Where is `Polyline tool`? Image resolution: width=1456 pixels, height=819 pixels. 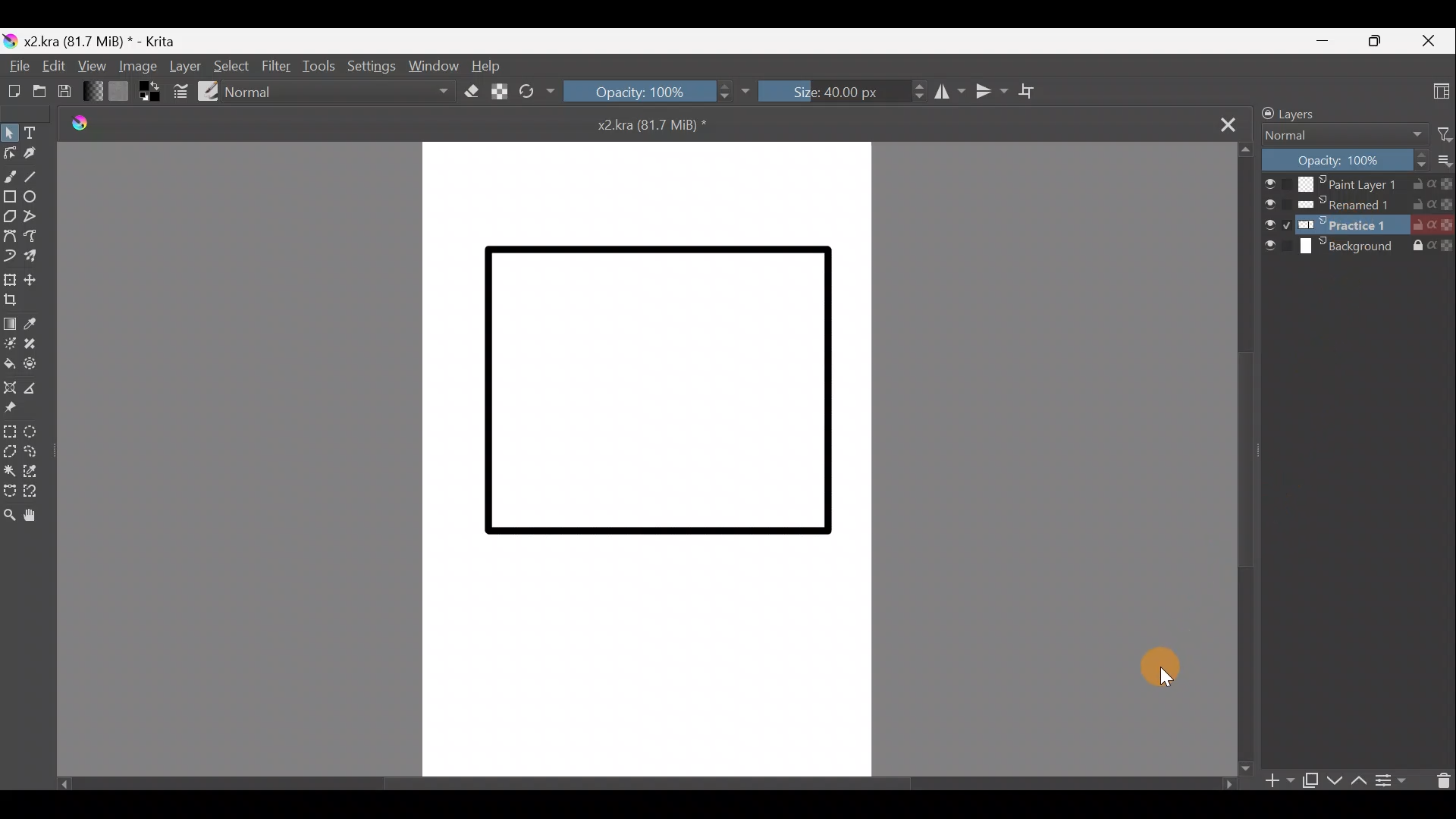
Polyline tool is located at coordinates (37, 218).